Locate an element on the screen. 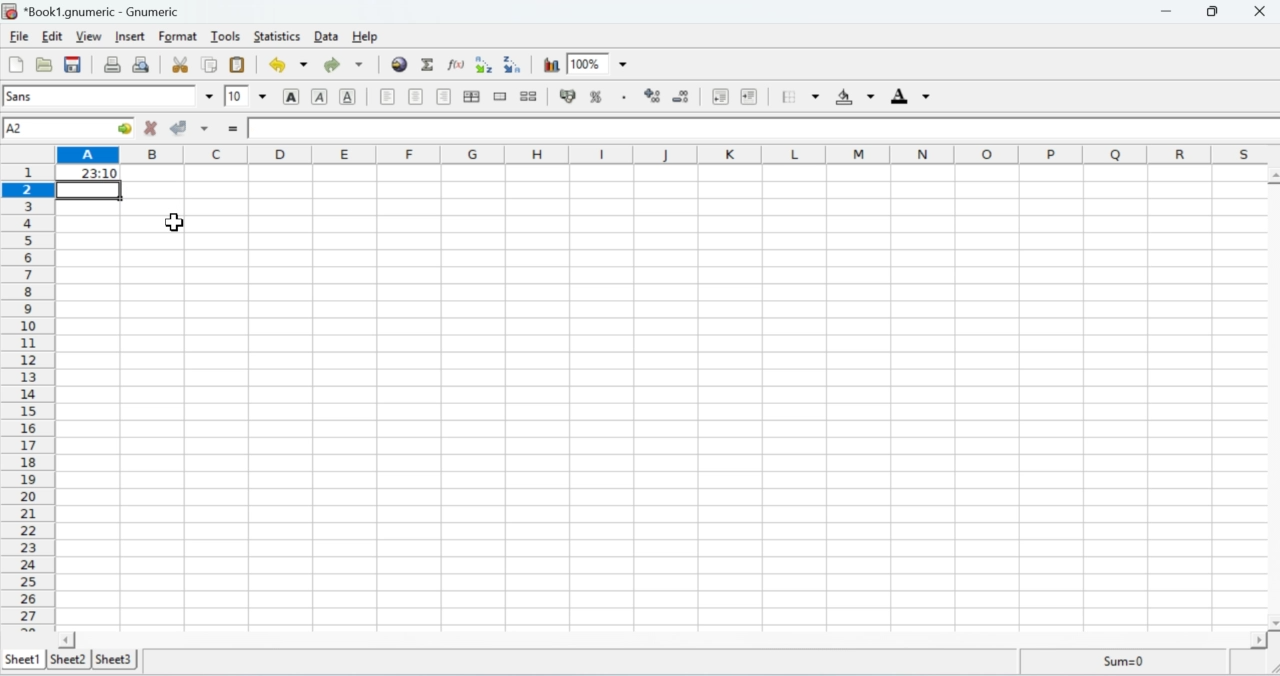 This screenshot has height=676, width=1280. Background is located at coordinates (855, 99).